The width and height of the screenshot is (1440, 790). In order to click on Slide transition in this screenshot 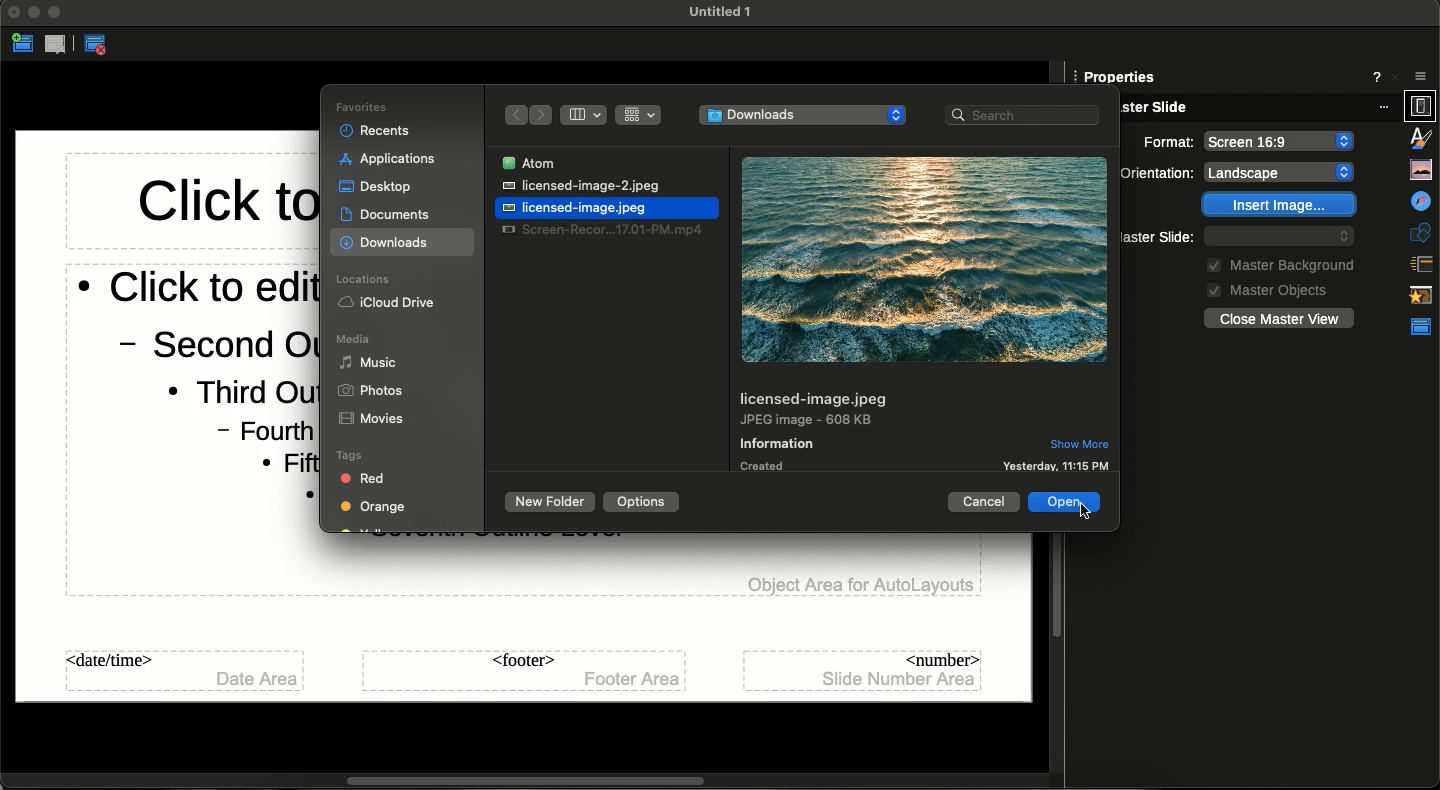, I will do `click(1422, 228)`.